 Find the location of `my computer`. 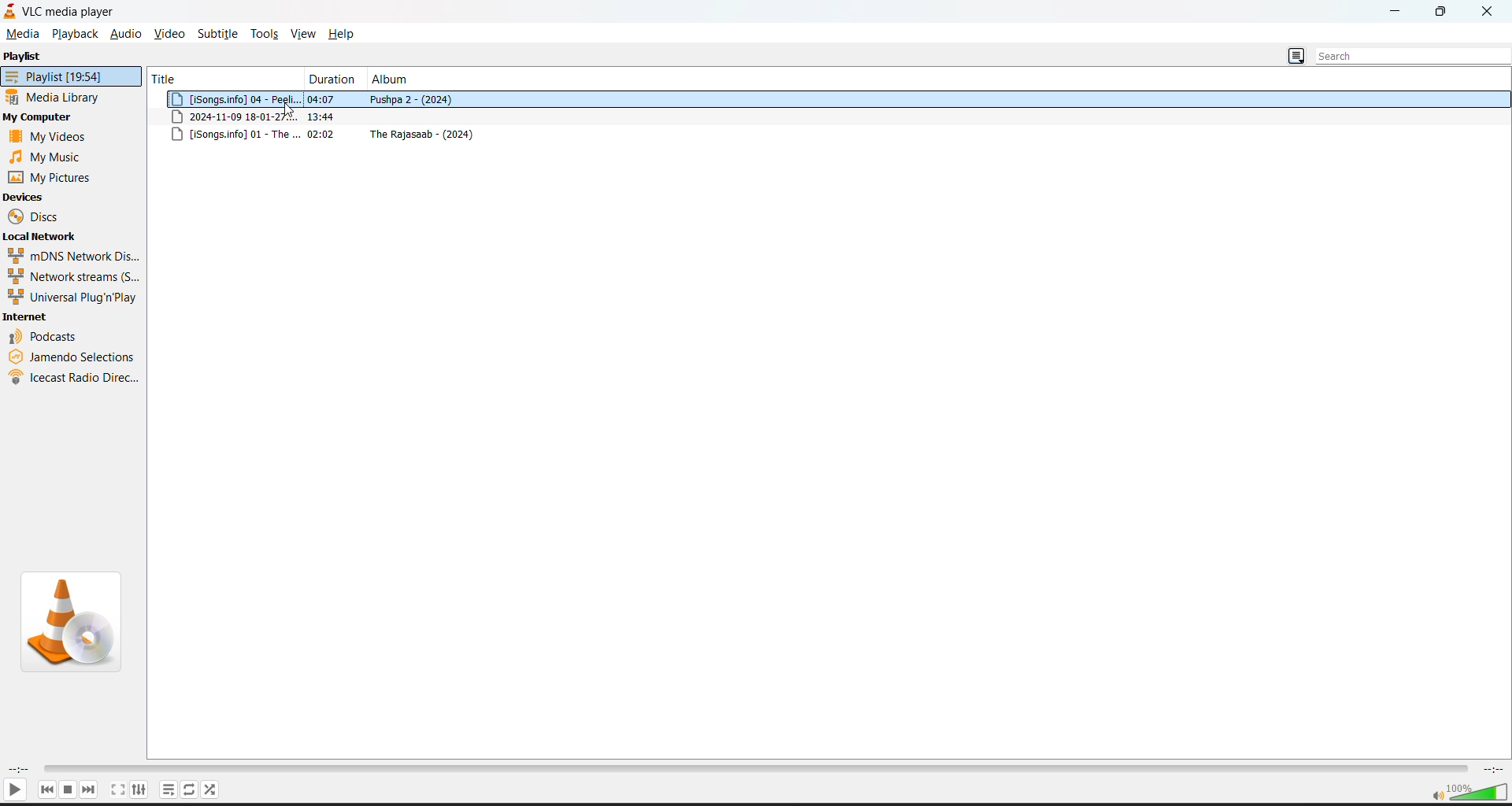

my computer is located at coordinates (39, 118).